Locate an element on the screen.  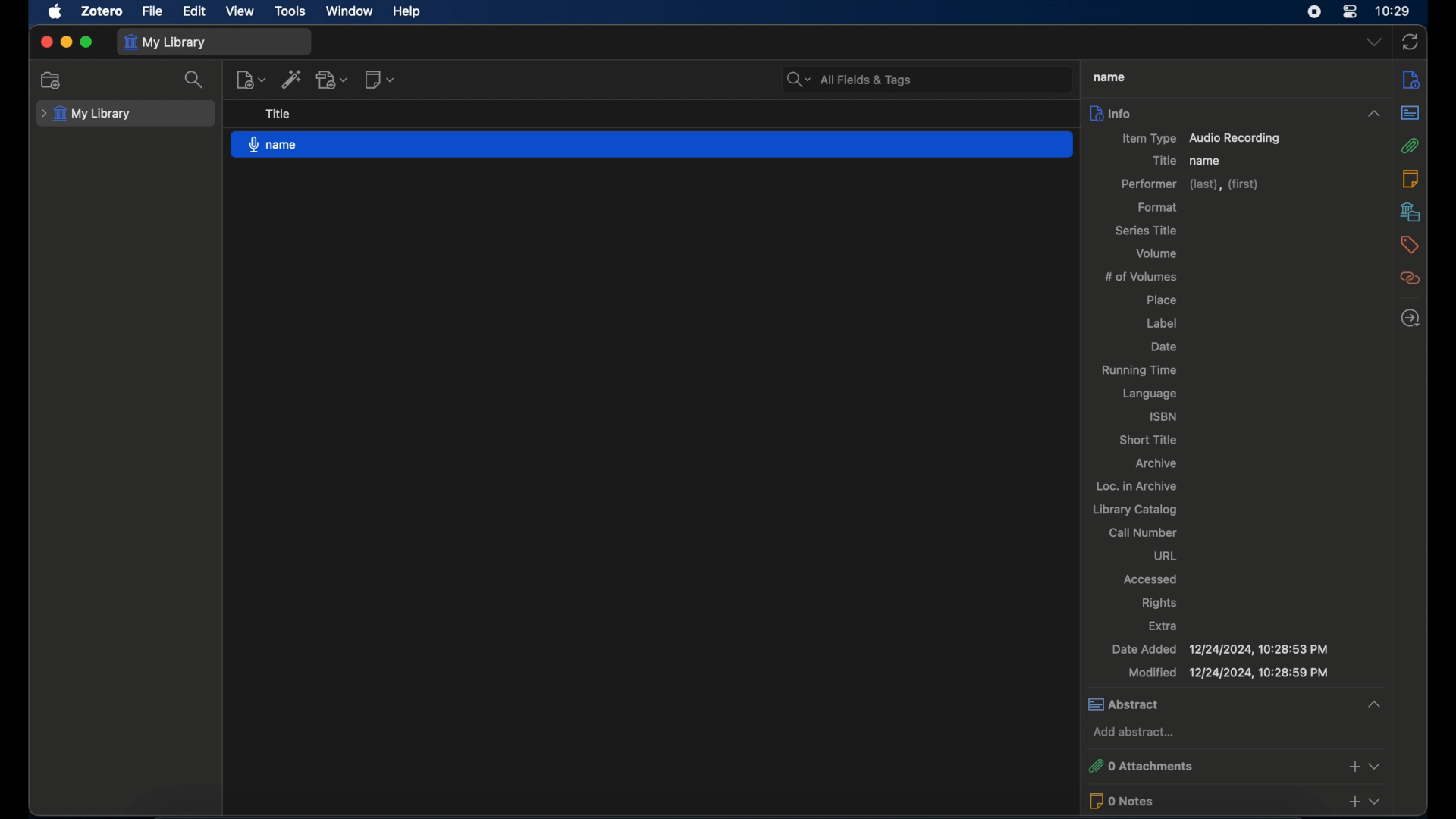
file is located at coordinates (152, 11).